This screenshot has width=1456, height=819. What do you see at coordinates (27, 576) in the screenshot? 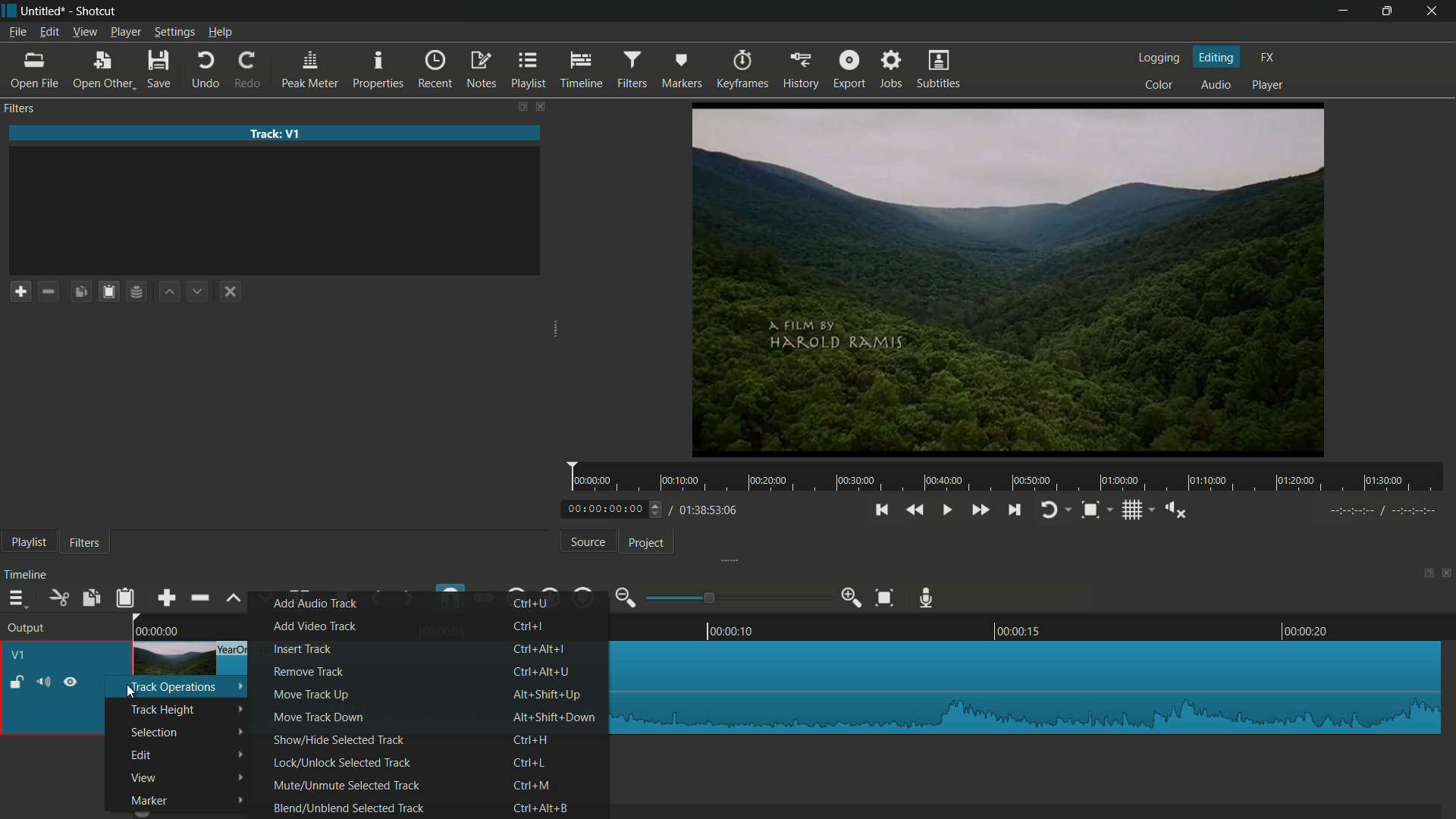
I see `timeline` at bounding box center [27, 576].